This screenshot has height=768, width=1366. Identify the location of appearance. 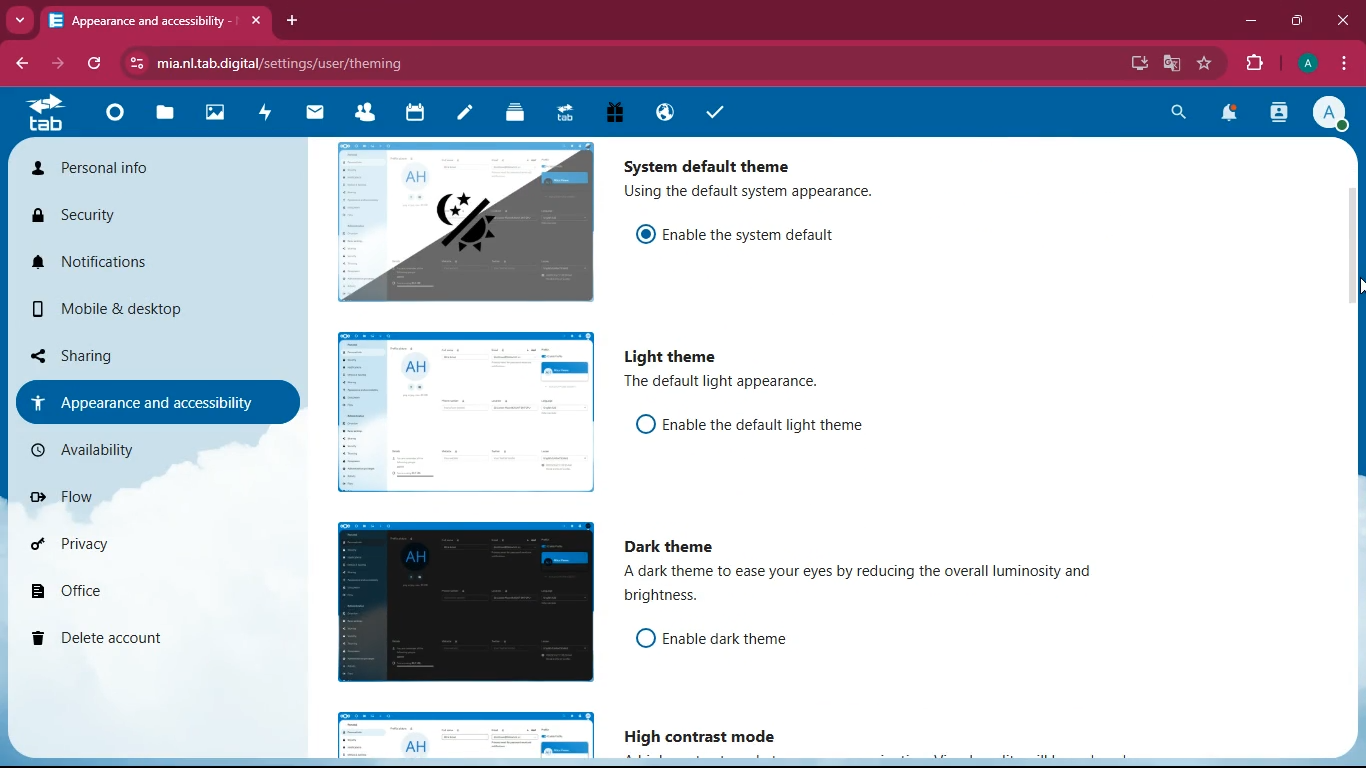
(148, 402).